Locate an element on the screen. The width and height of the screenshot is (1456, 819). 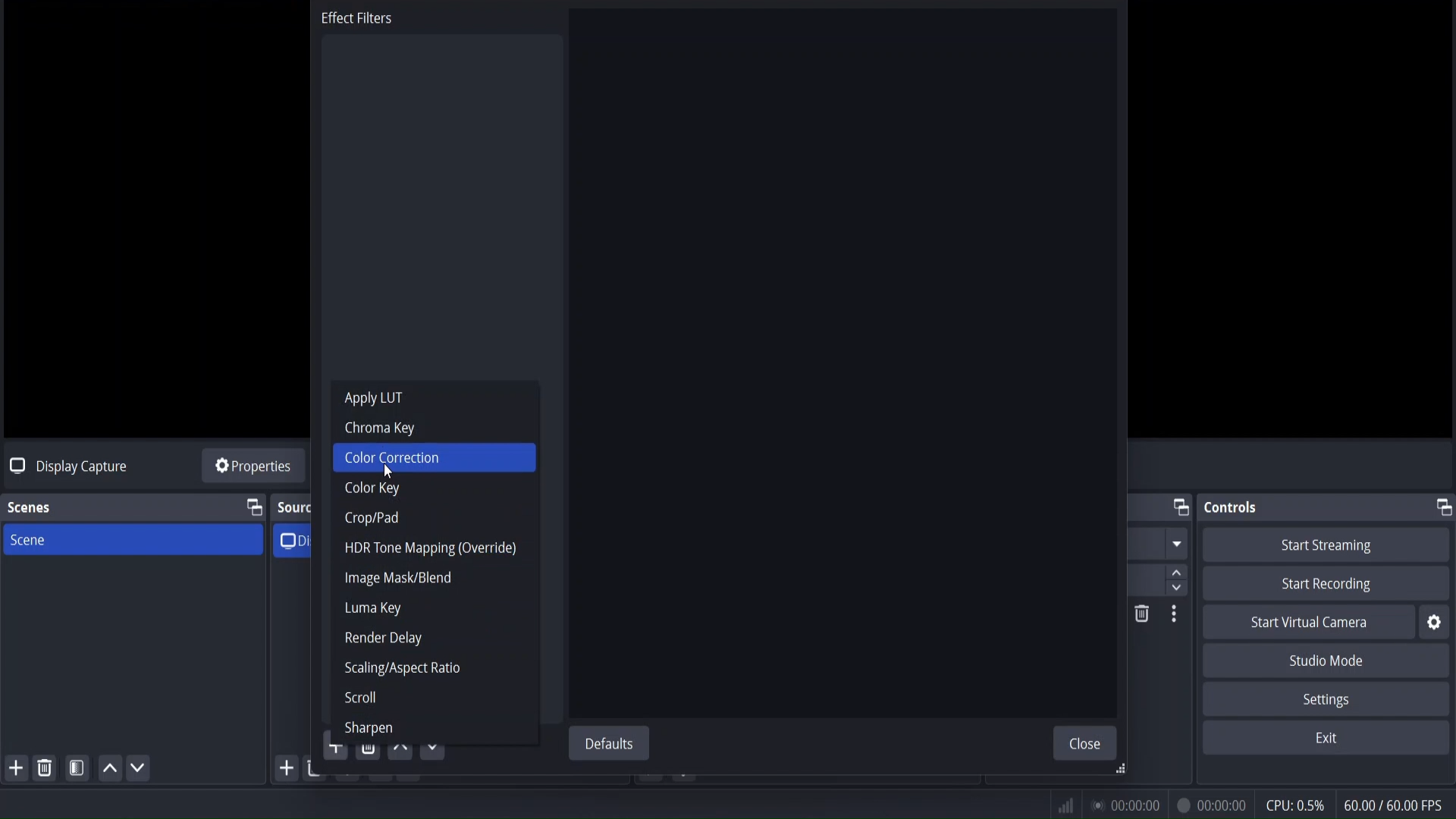
defaults is located at coordinates (612, 744).